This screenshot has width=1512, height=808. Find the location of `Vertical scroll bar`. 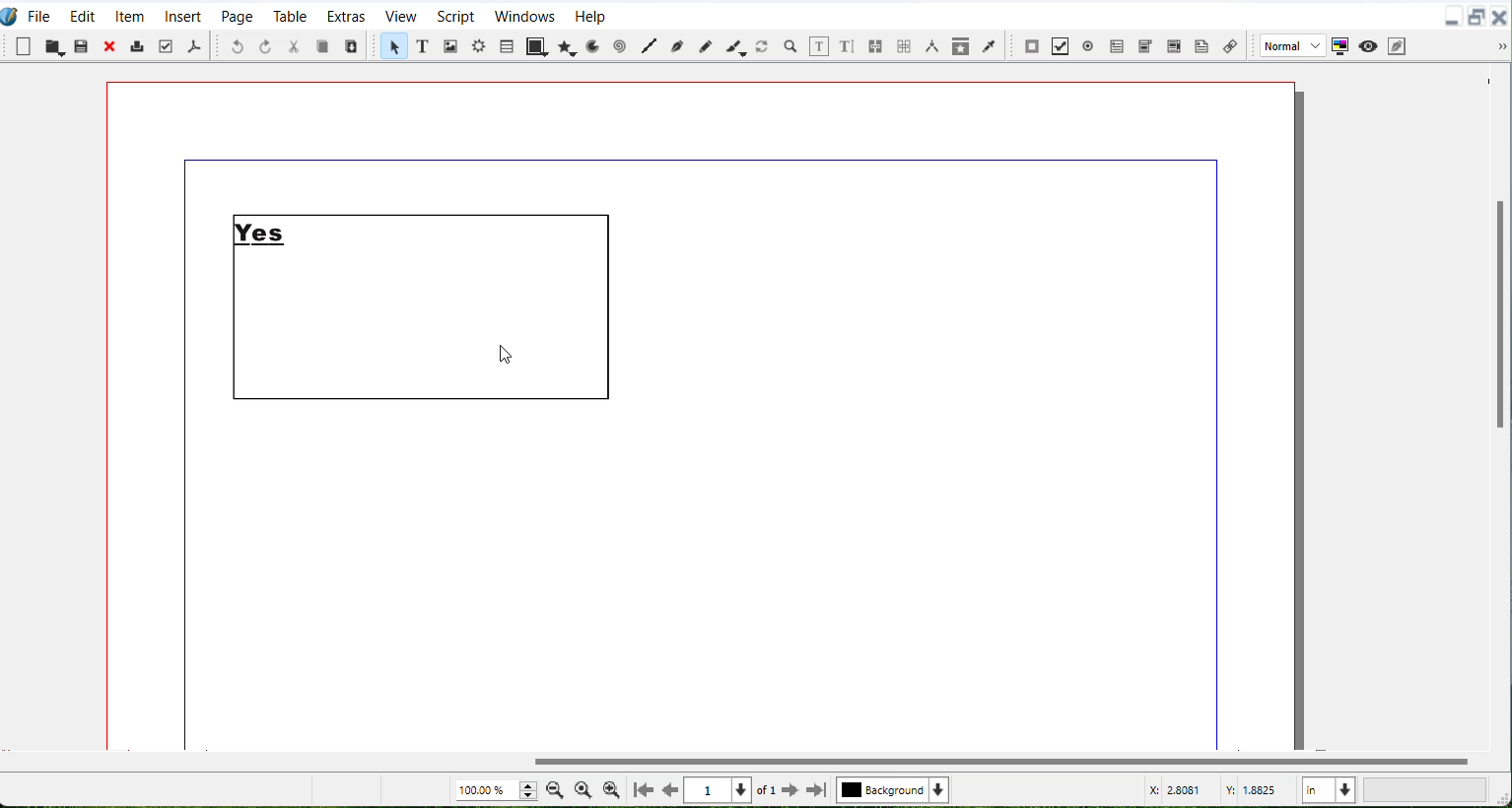

Vertical scroll bar is located at coordinates (740, 761).